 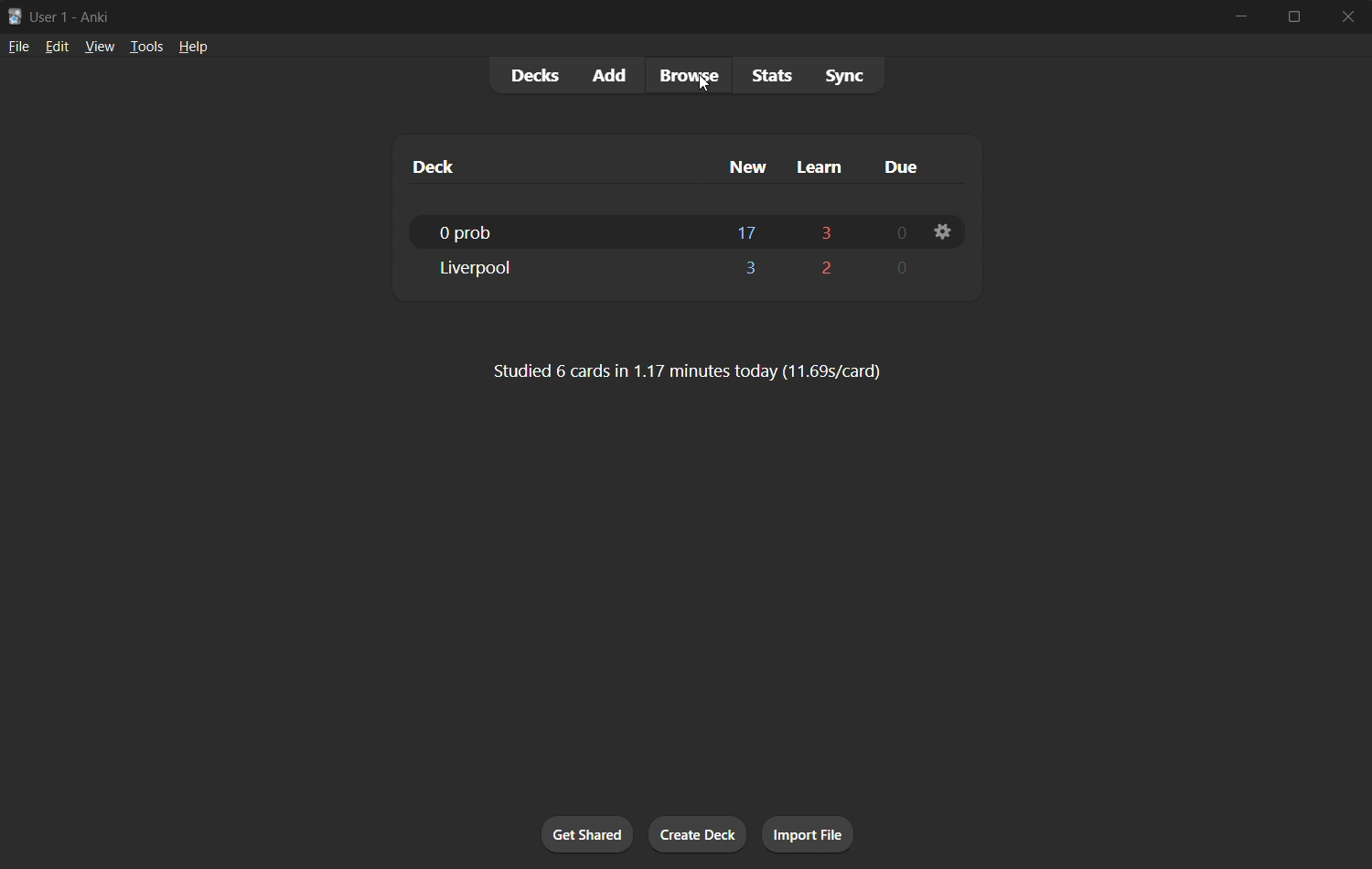 What do you see at coordinates (687, 373) in the screenshot?
I see `Studied 6 cards in 1.17 minutes today (11.69s/card)` at bounding box center [687, 373].